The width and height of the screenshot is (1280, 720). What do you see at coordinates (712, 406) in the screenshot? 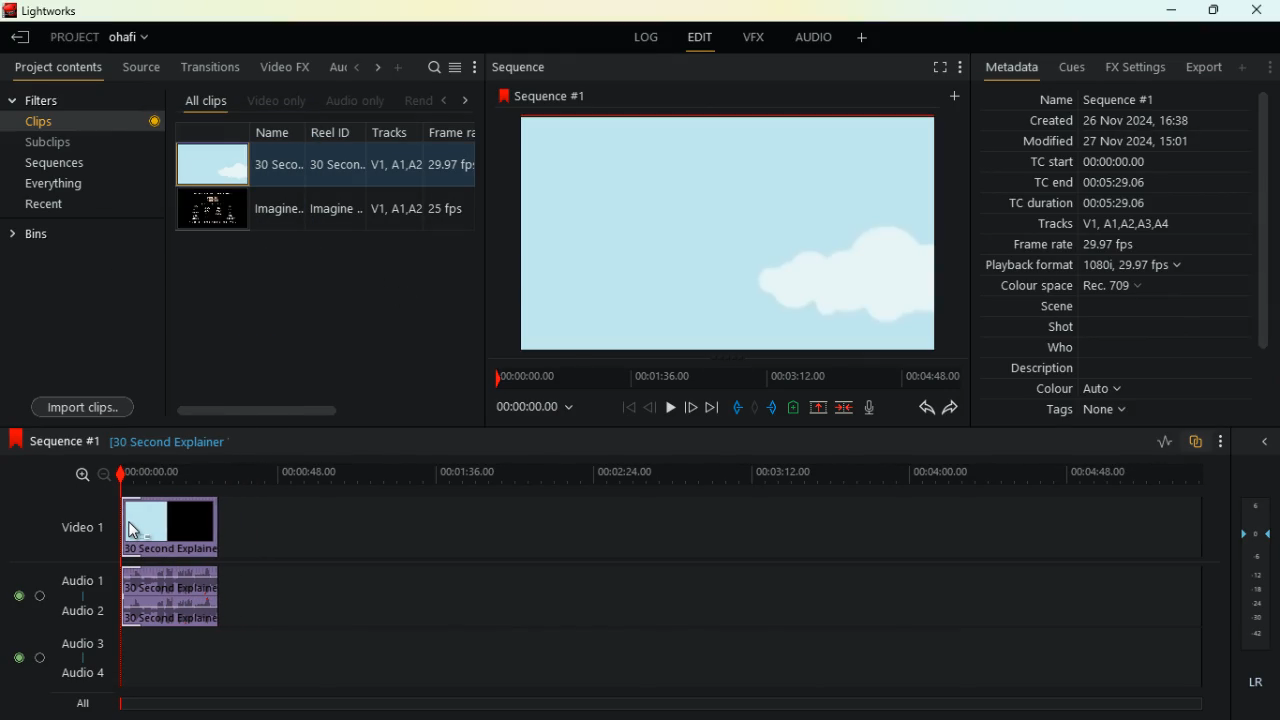
I see `end` at bounding box center [712, 406].